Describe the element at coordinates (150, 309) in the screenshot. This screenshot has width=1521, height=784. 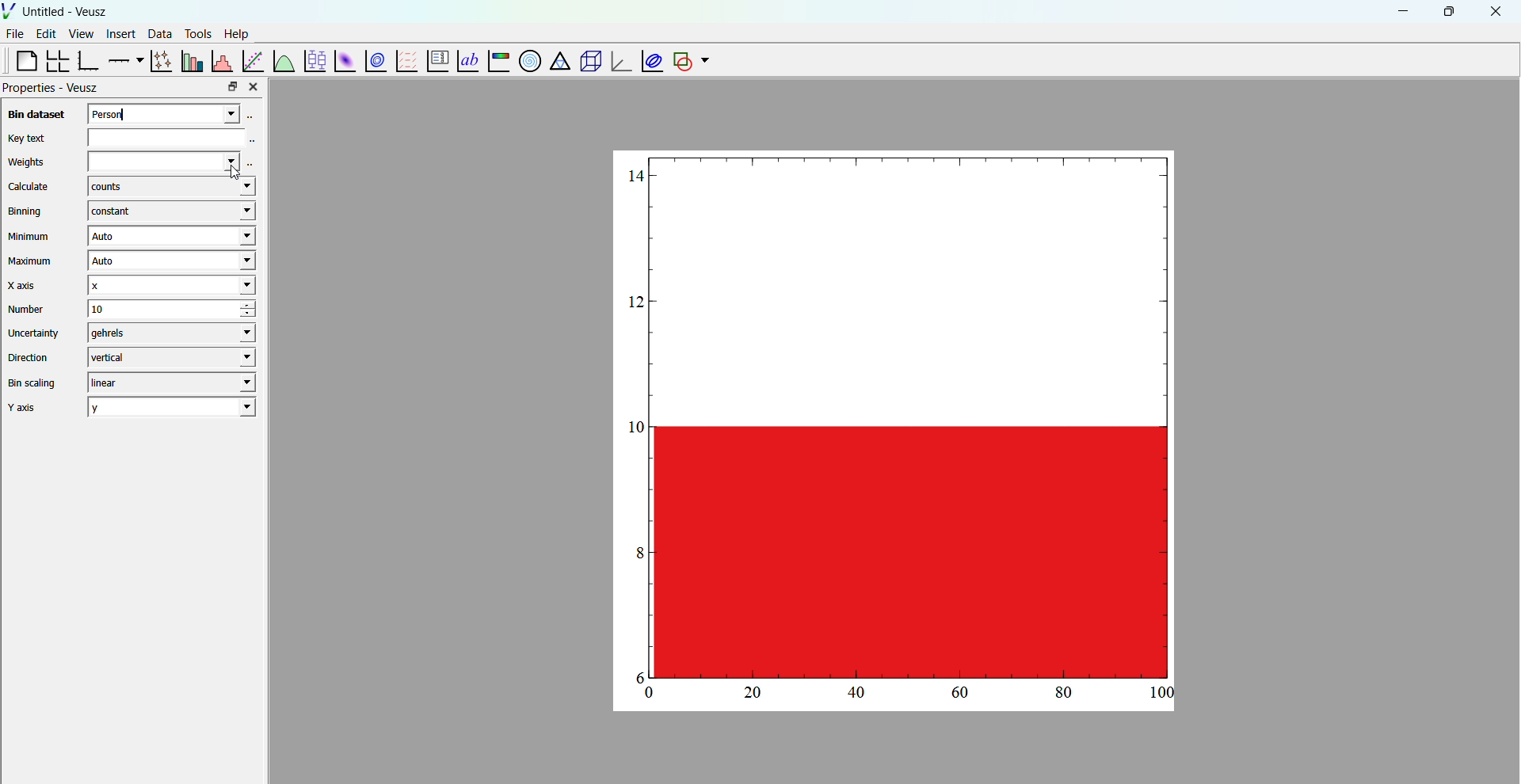
I see `10` at that location.